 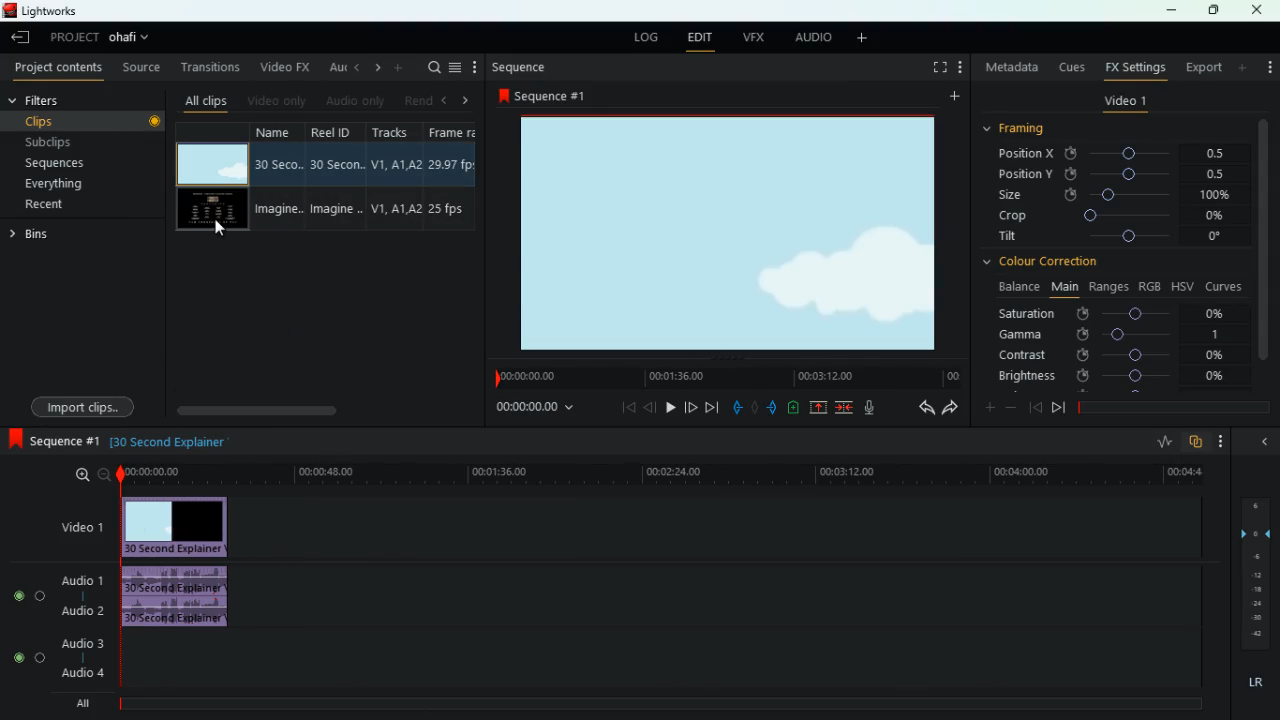 What do you see at coordinates (725, 378) in the screenshot?
I see `time` at bounding box center [725, 378].